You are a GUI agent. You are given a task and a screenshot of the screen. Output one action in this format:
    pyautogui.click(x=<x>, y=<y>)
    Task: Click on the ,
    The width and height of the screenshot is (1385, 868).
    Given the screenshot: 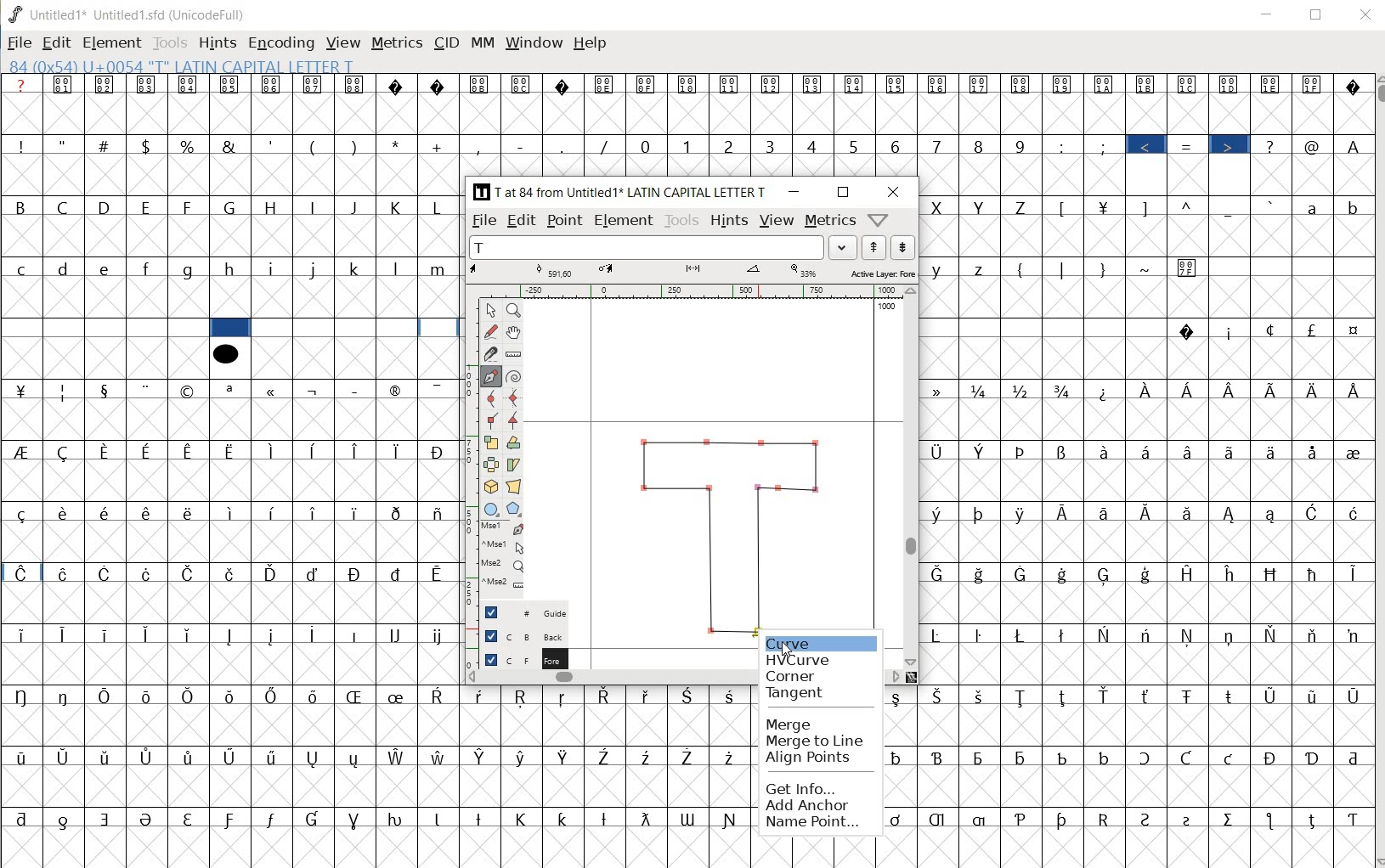 What is the action you would take?
    pyautogui.click(x=480, y=146)
    